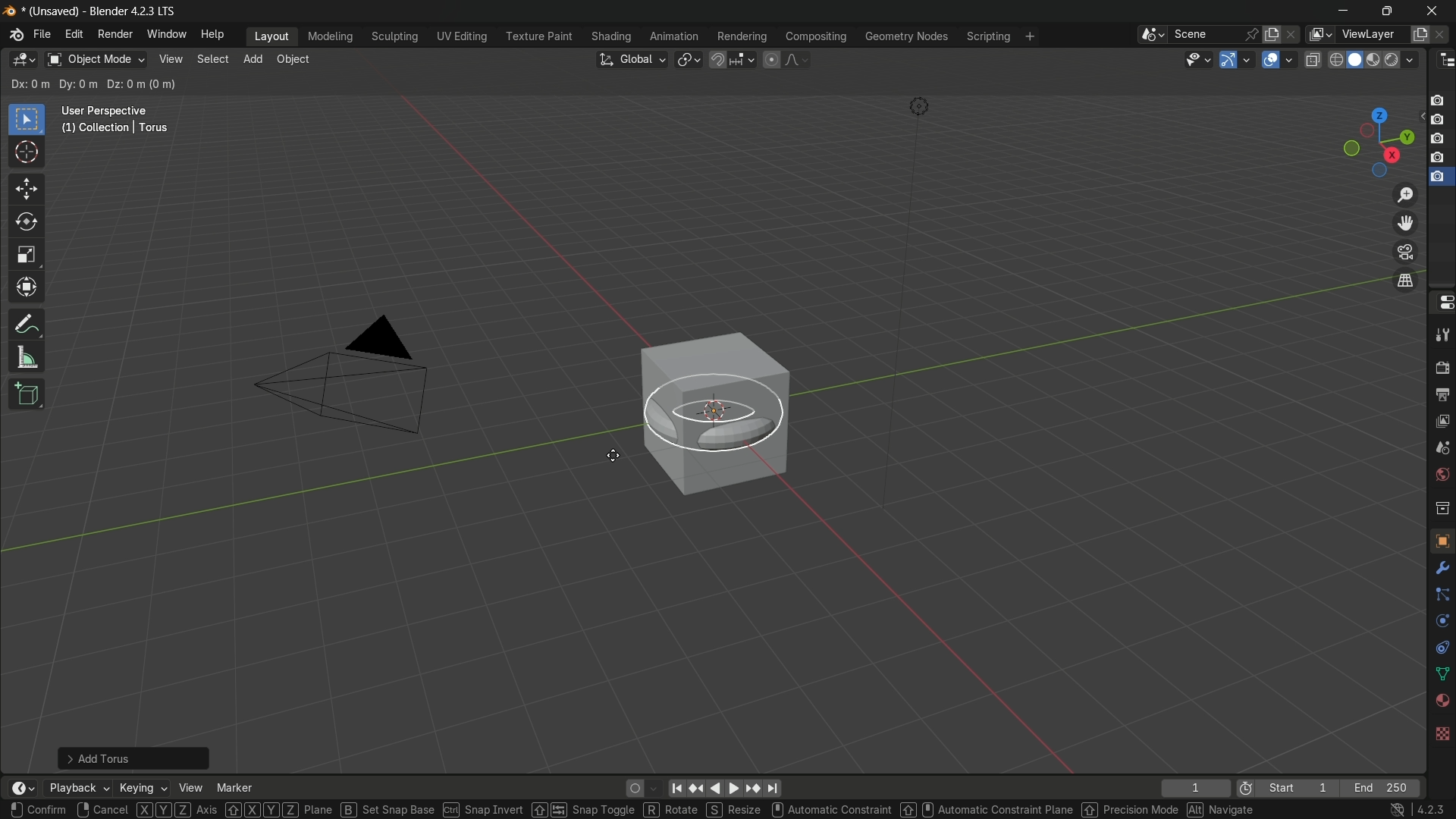 The height and width of the screenshot is (819, 1456). Describe the element at coordinates (1436, 11) in the screenshot. I see `close app` at that location.